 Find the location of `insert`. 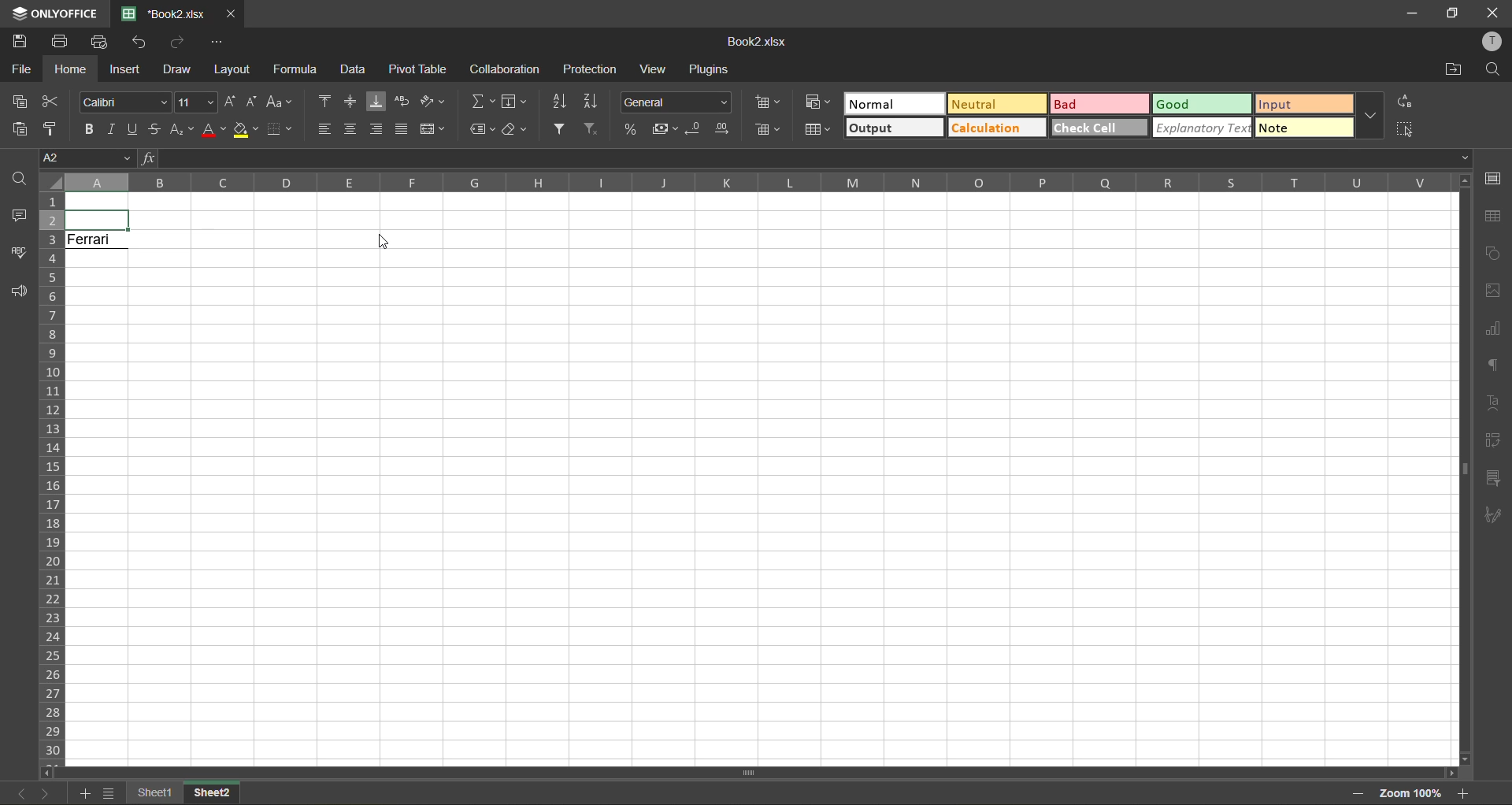

insert is located at coordinates (125, 70).